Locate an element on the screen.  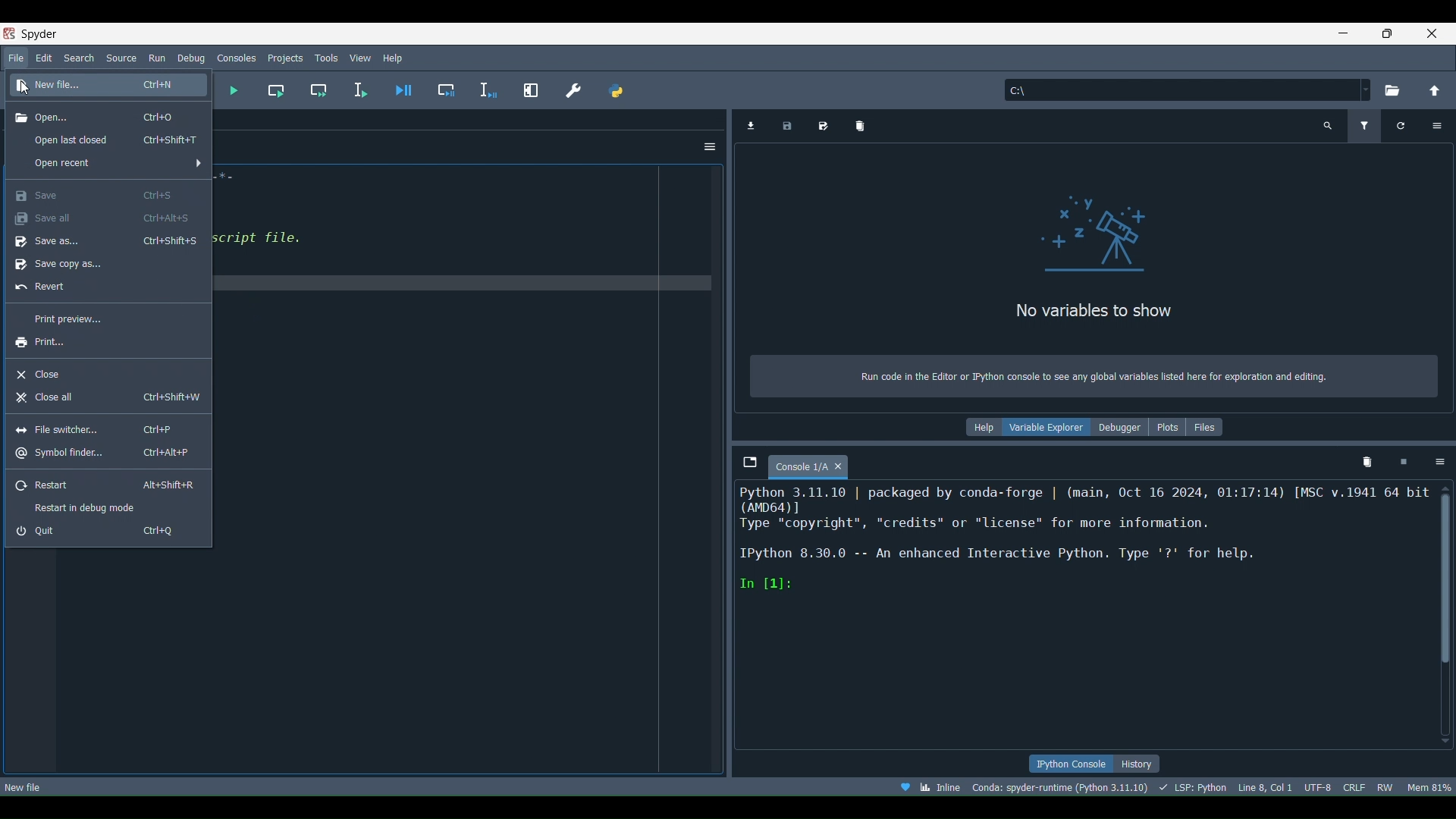
Open is located at coordinates (96, 117).